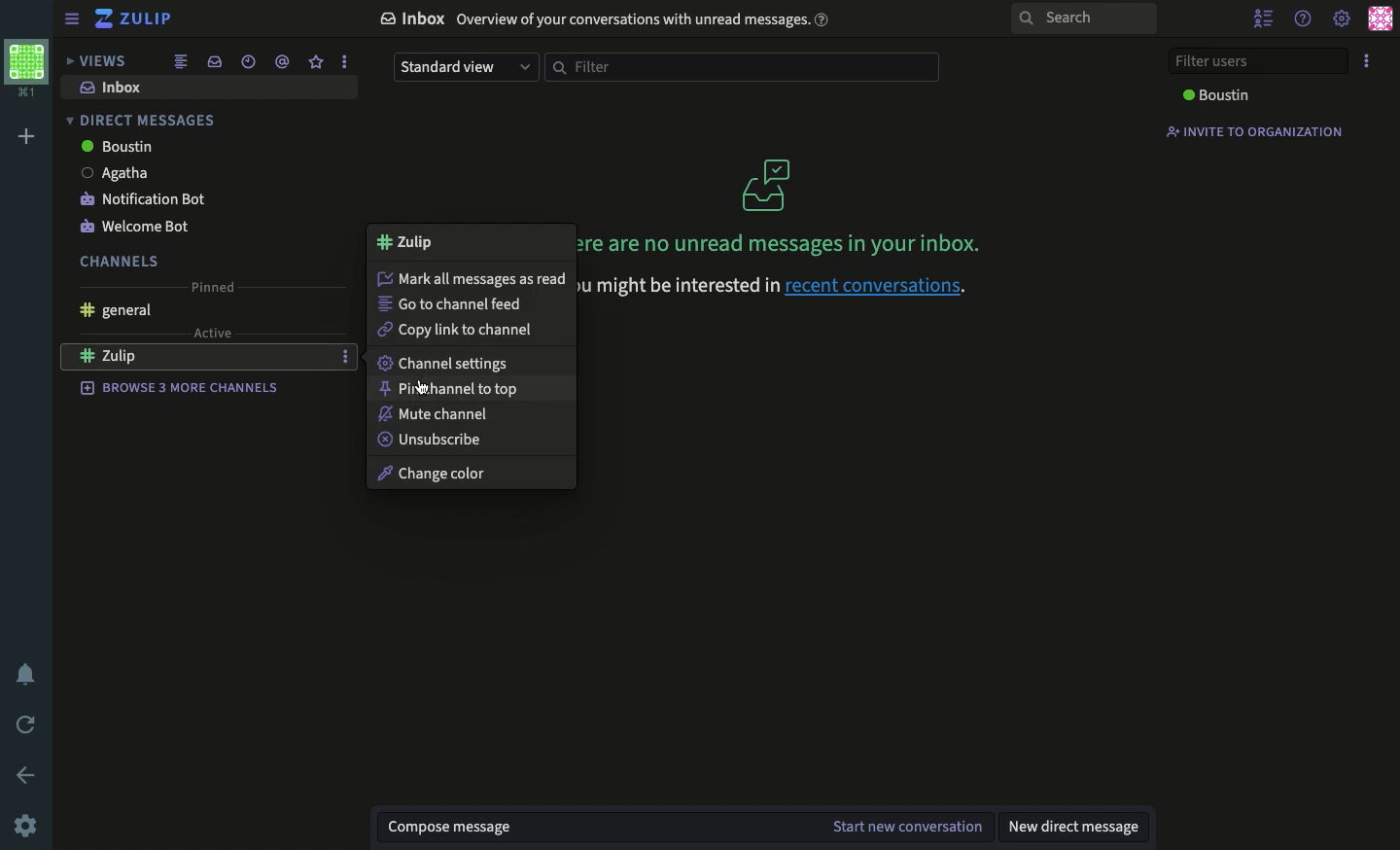 The height and width of the screenshot is (850, 1400). What do you see at coordinates (96, 61) in the screenshot?
I see `views` at bounding box center [96, 61].